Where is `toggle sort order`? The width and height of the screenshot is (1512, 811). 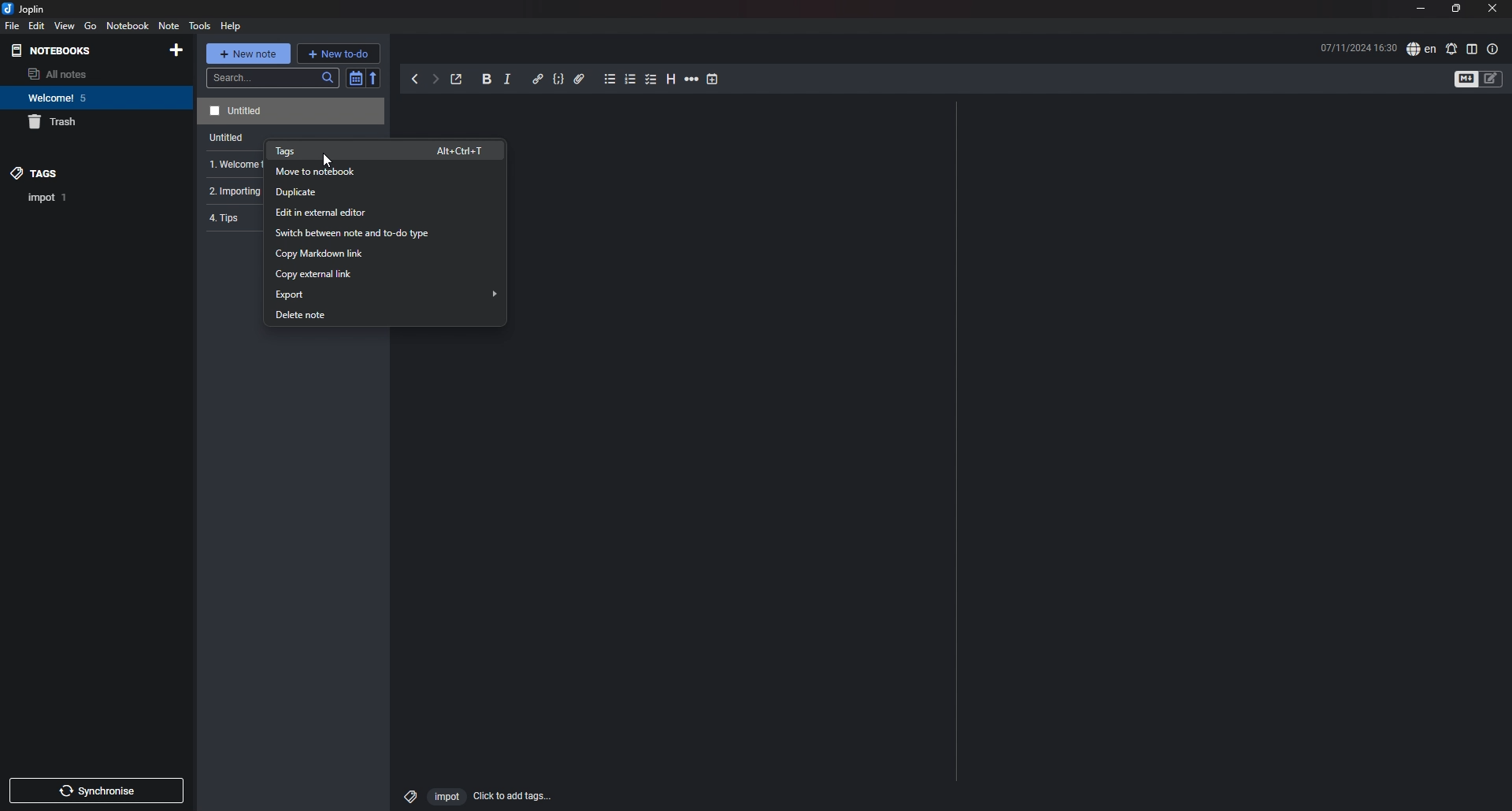 toggle sort order is located at coordinates (355, 79).